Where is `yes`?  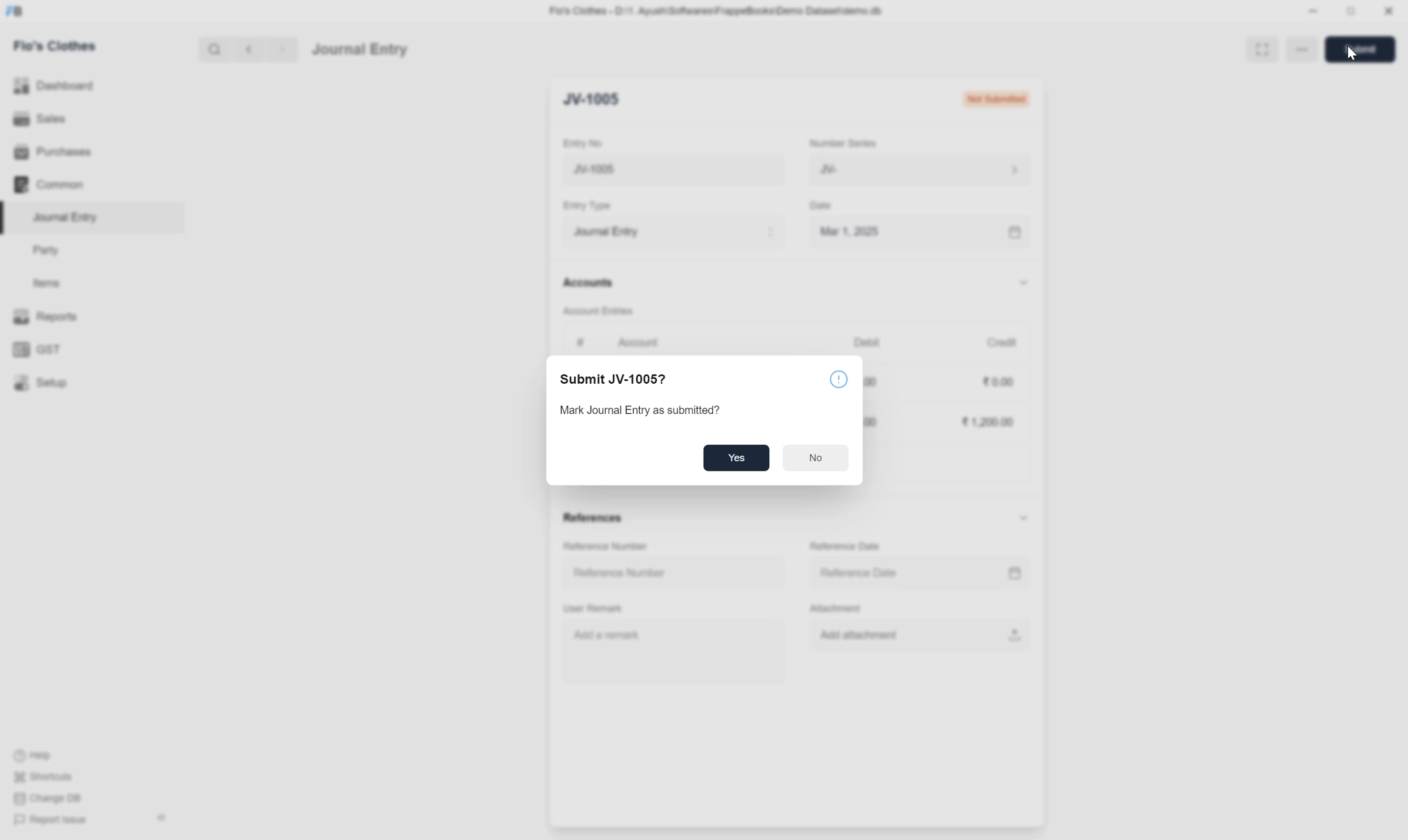
yes is located at coordinates (738, 458).